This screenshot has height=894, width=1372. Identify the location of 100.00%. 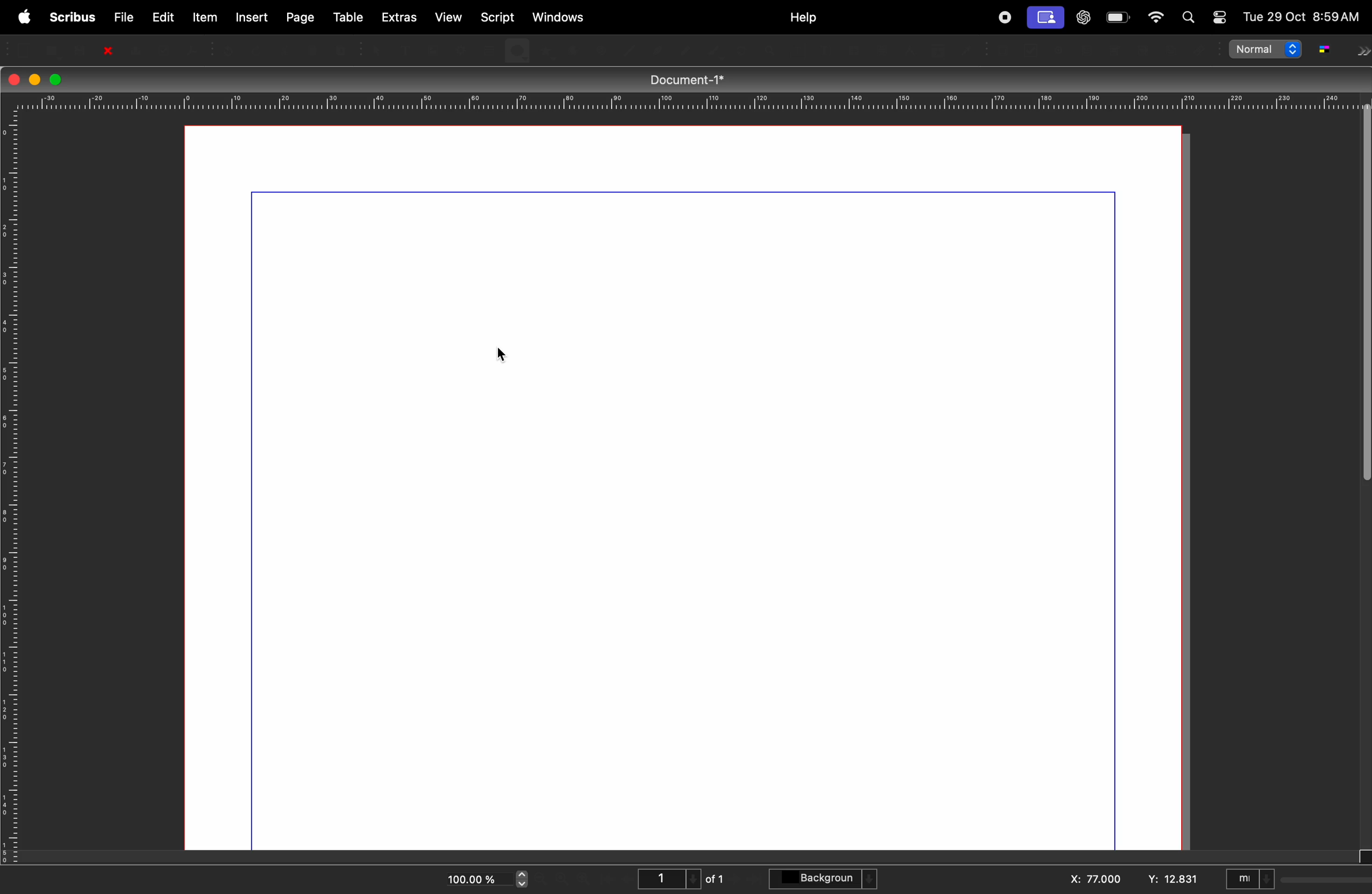
(469, 876).